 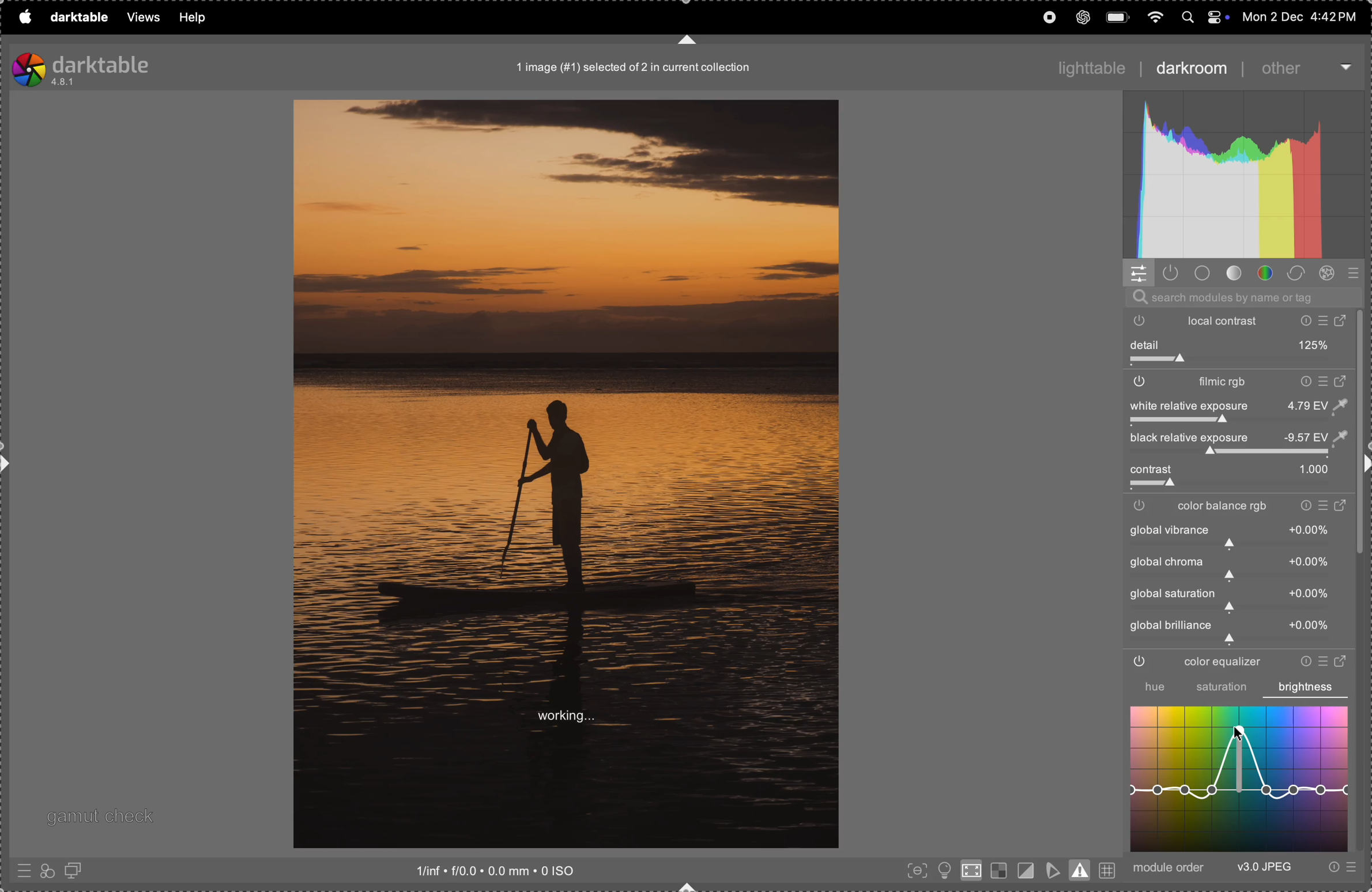 I want to click on global brillance, so click(x=1232, y=631).